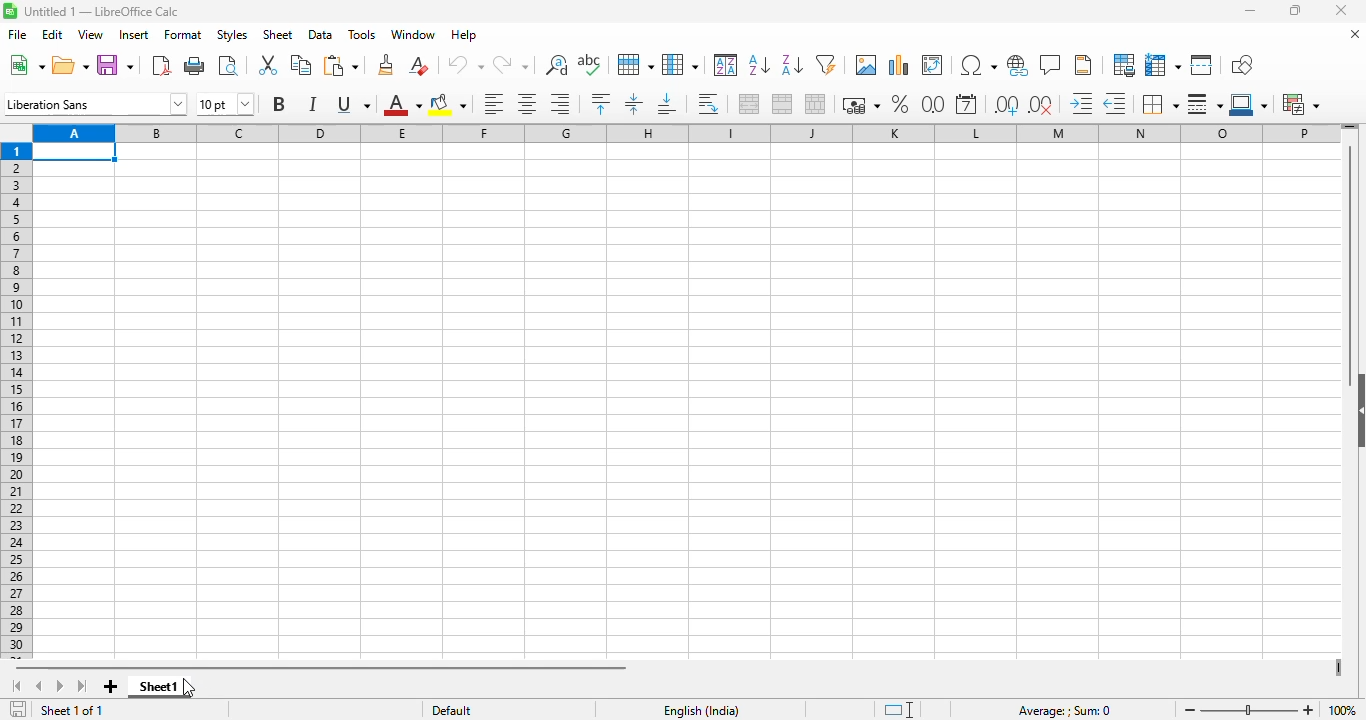 The height and width of the screenshot is (720, 1366). I want to click on find and replace, so click(556, 65).